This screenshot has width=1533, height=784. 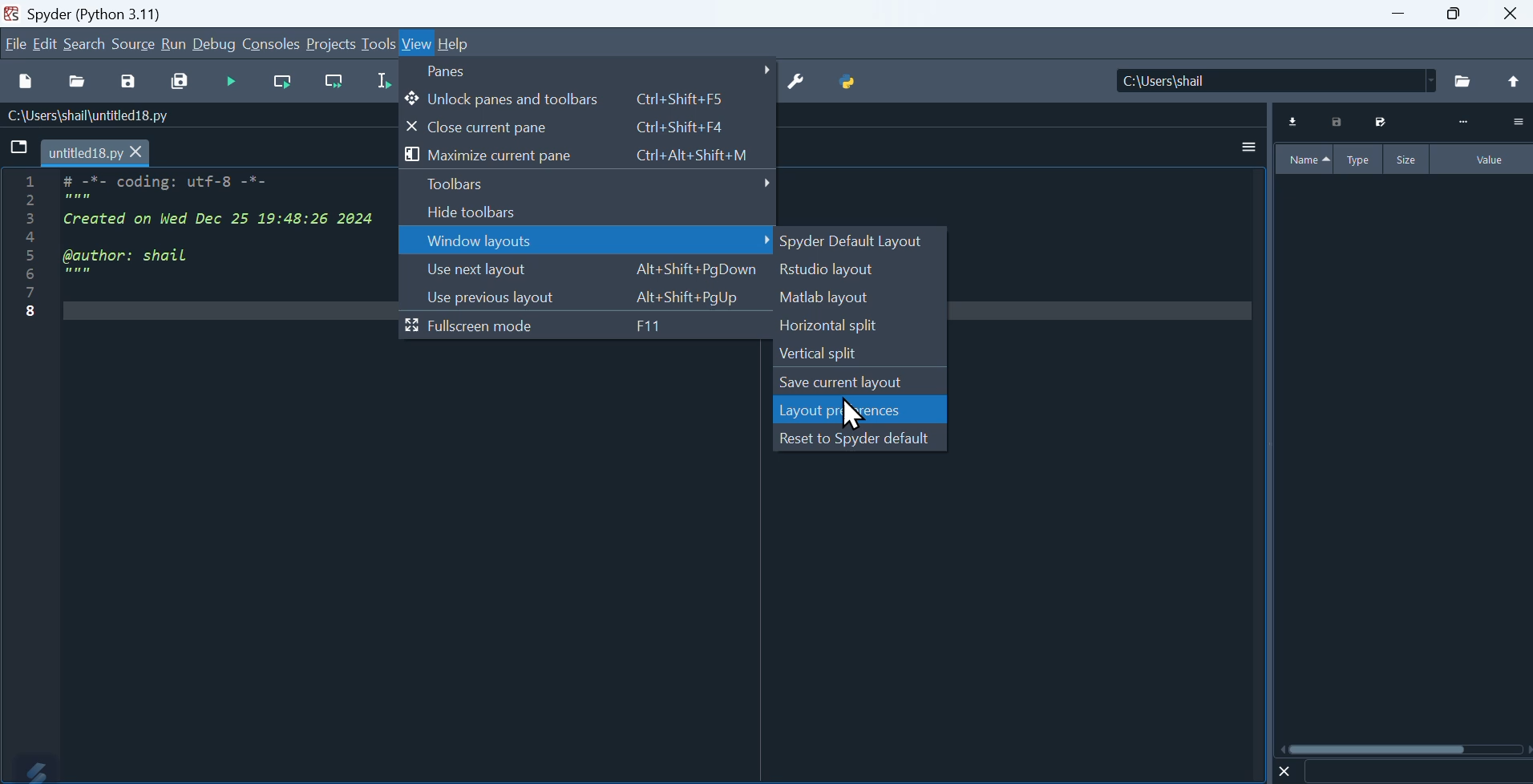 What do you see at coordinates (15, 43) in the screenshot?
I see `File` at bounding box center [15, 43].